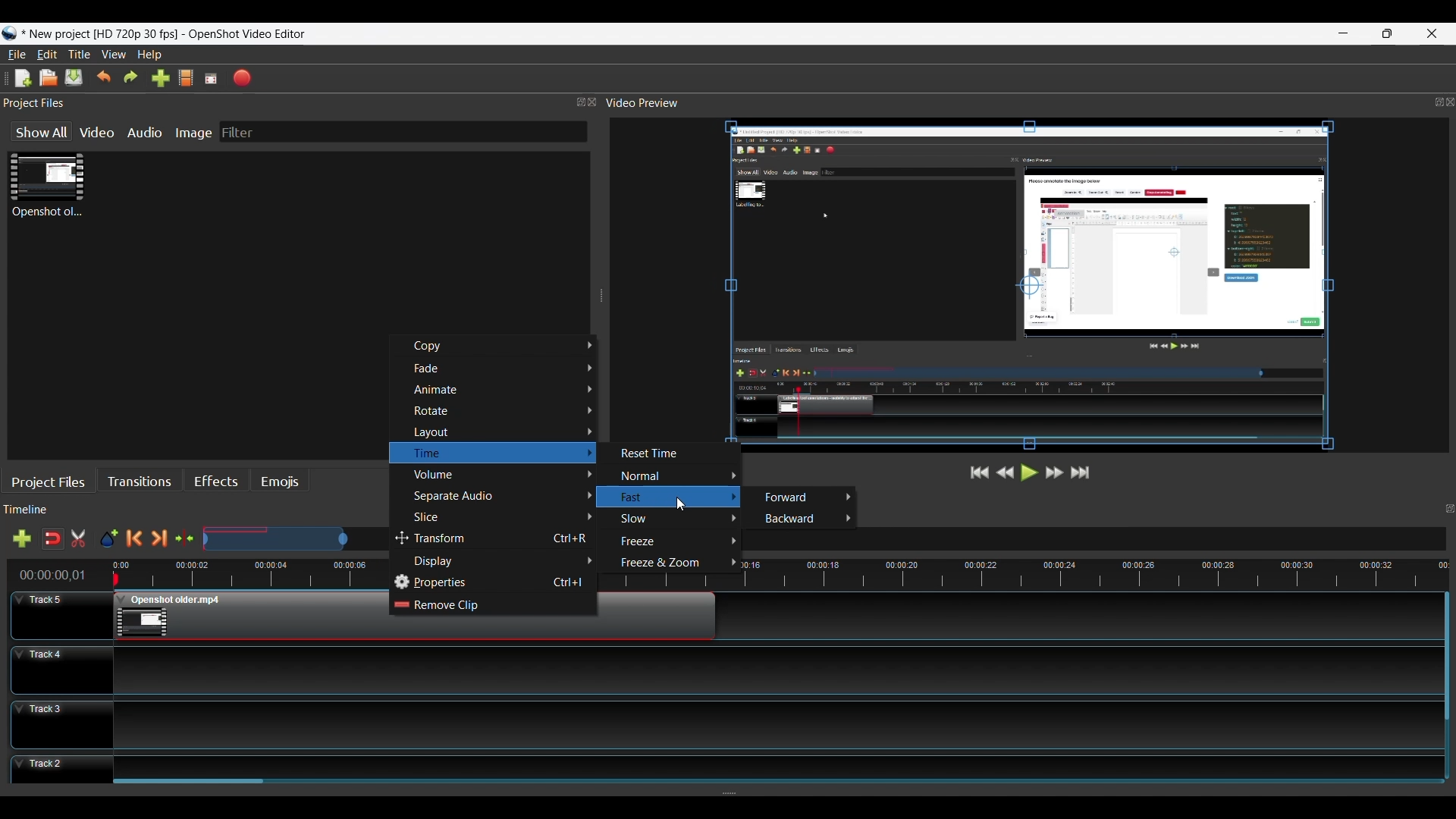 The height and width of the screenshot is (819, 1456). I want to click on Display, so click(503, 561).